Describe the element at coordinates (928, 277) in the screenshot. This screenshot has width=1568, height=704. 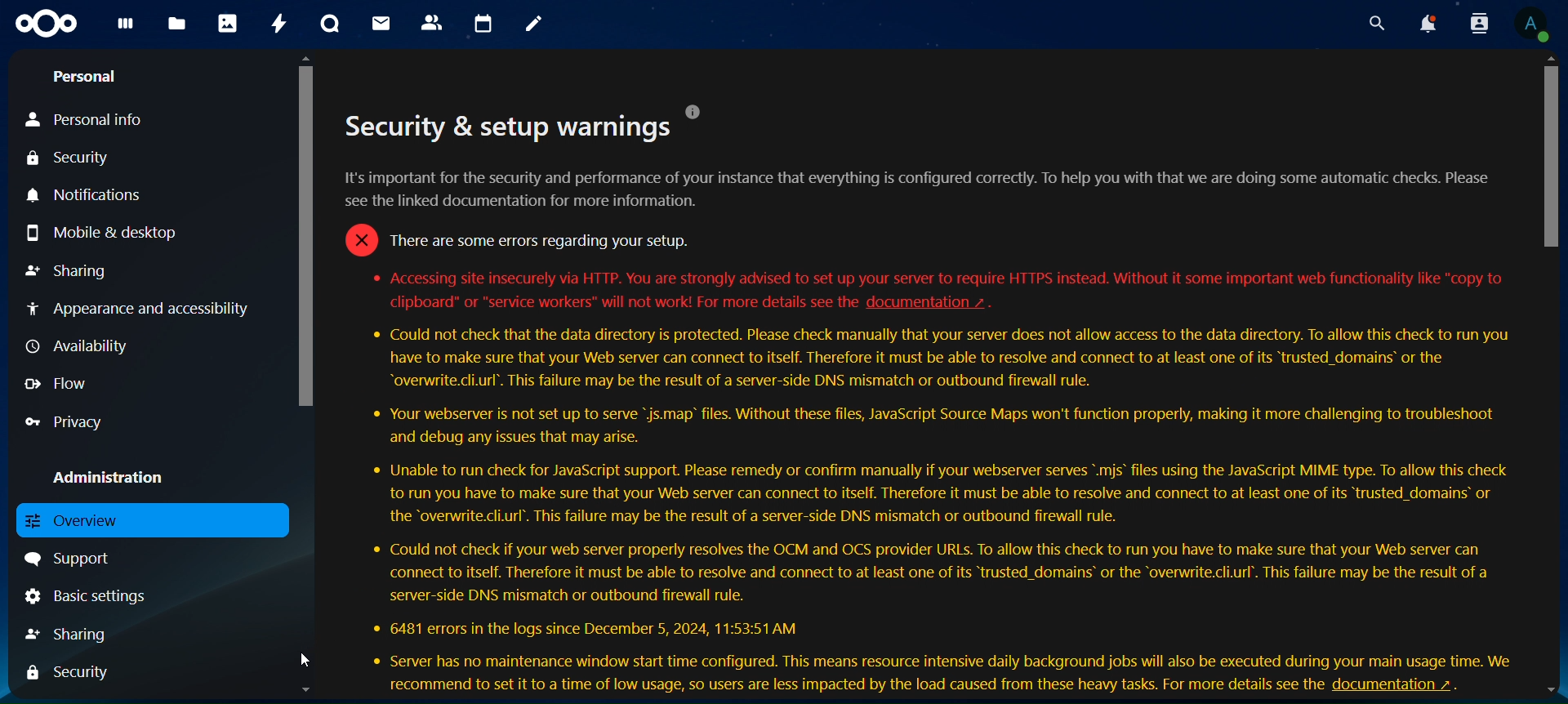
I see `text` at that location.